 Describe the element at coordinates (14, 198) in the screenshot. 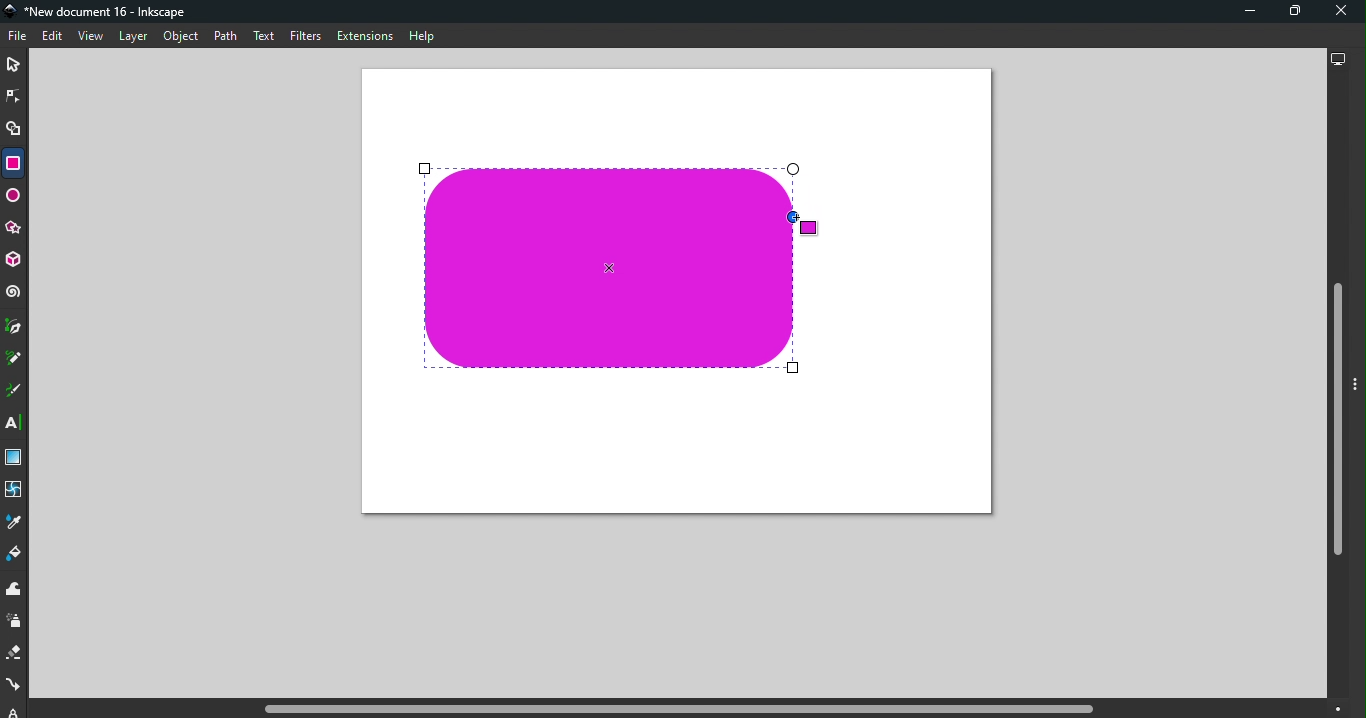

I see `Ellipse/Arc tool` at that location.